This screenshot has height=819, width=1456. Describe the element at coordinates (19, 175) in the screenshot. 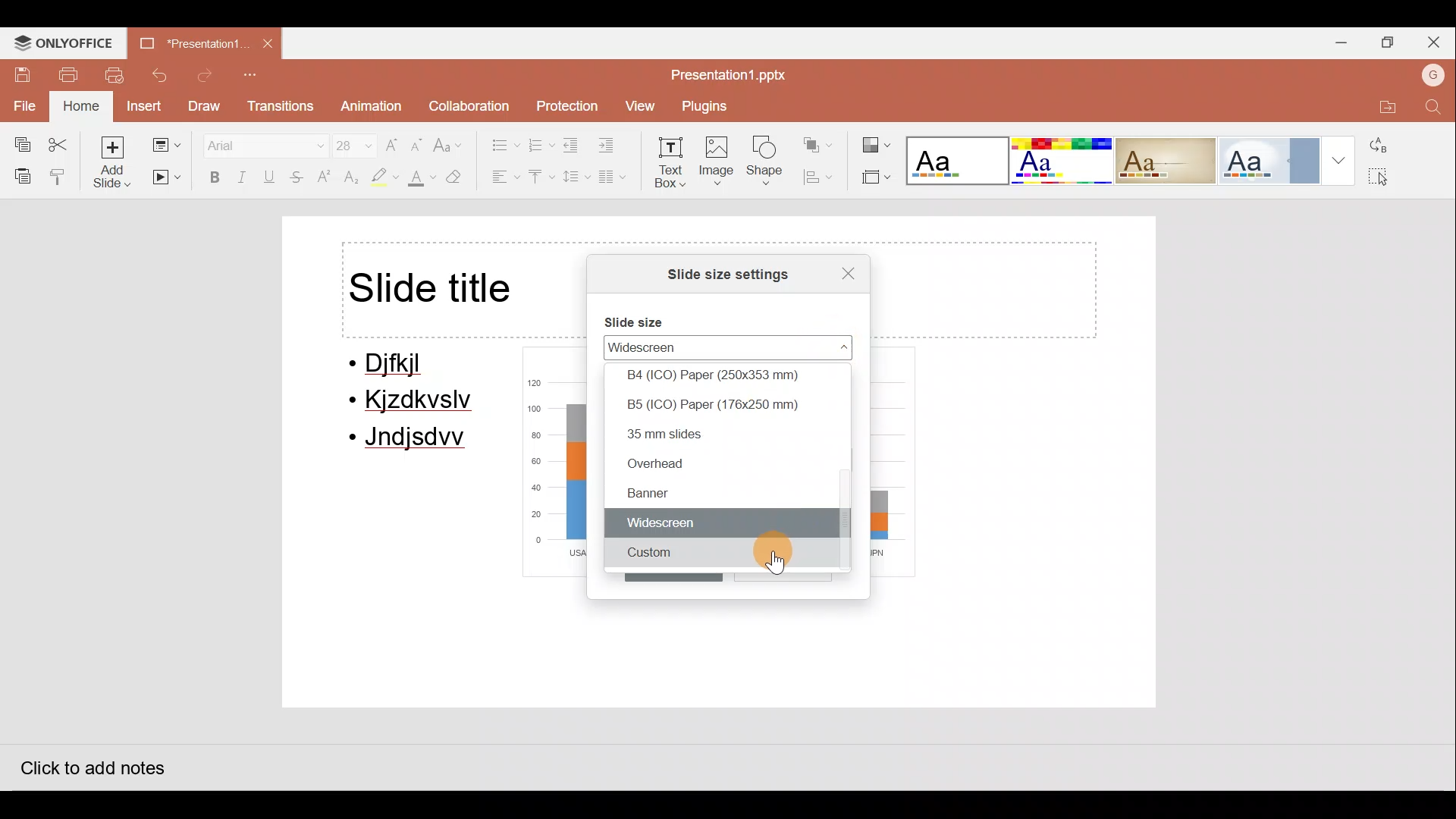

I see `Paste` at that location.